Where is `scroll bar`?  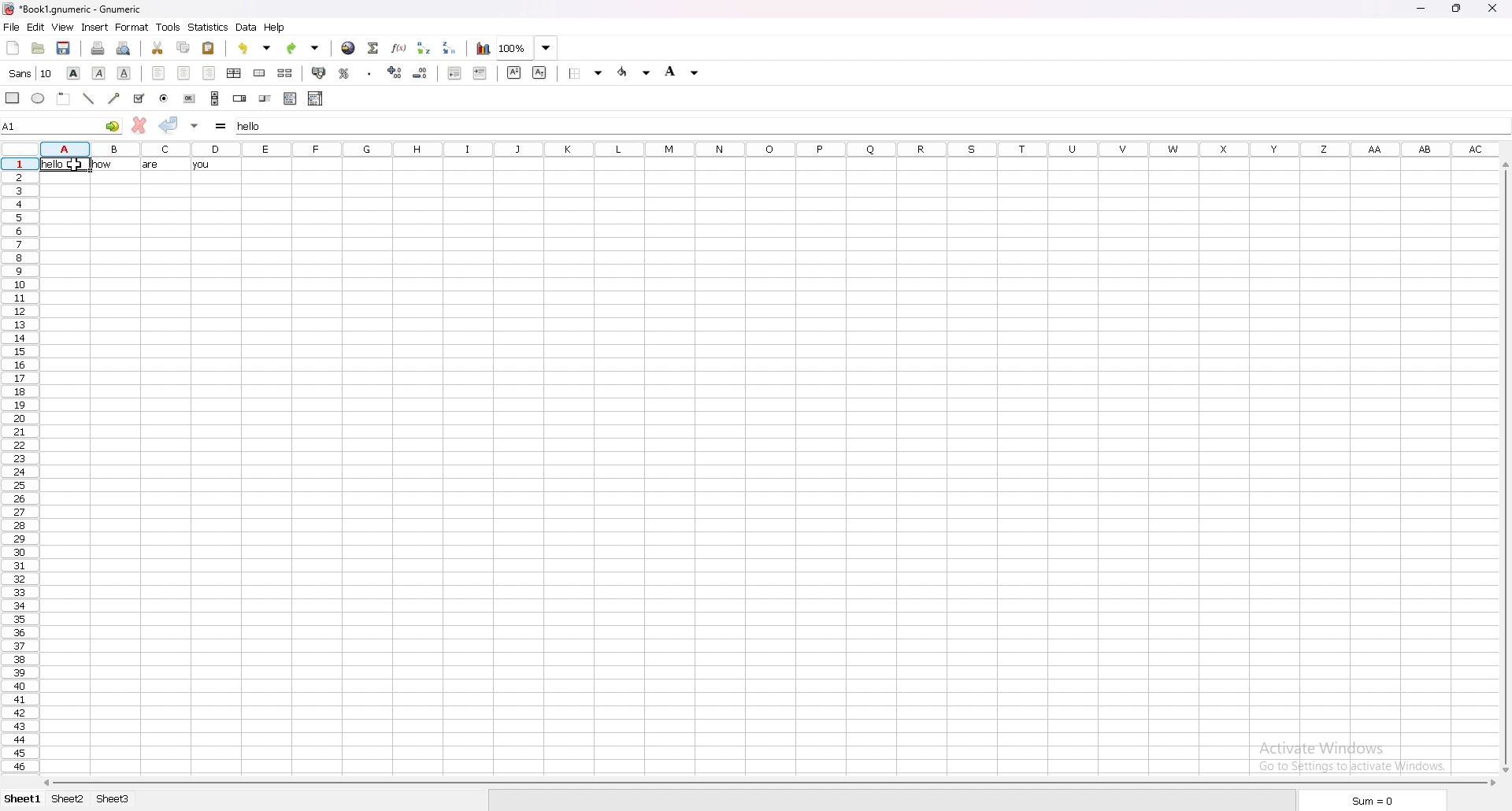
scroll bar is located at coordinates (767, 783).